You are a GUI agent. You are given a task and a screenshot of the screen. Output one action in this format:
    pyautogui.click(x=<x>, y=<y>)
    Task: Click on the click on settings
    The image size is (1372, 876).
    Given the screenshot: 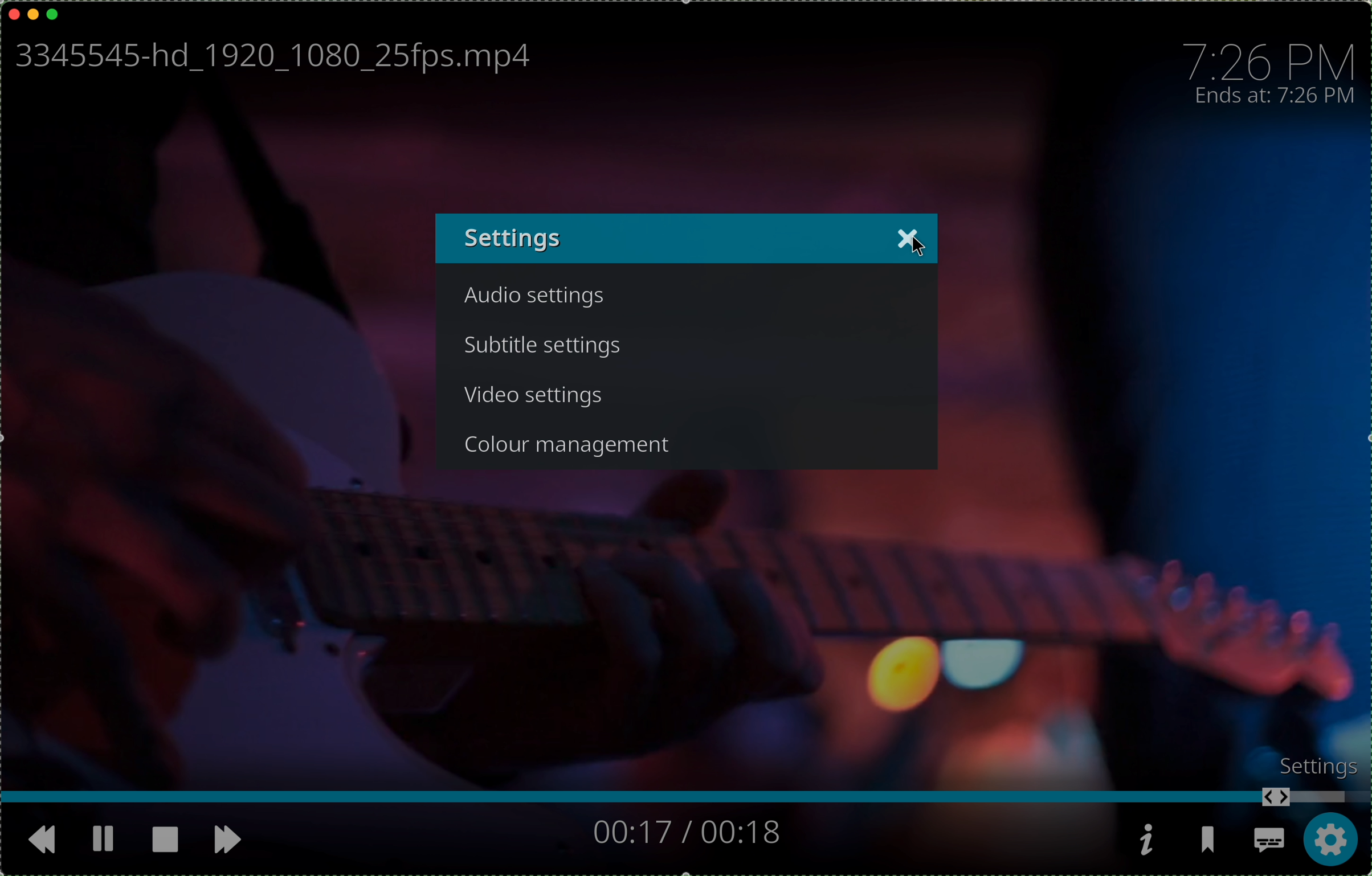 What is the action you would take?
    pyautogui.click(x=1332, y=842)
    